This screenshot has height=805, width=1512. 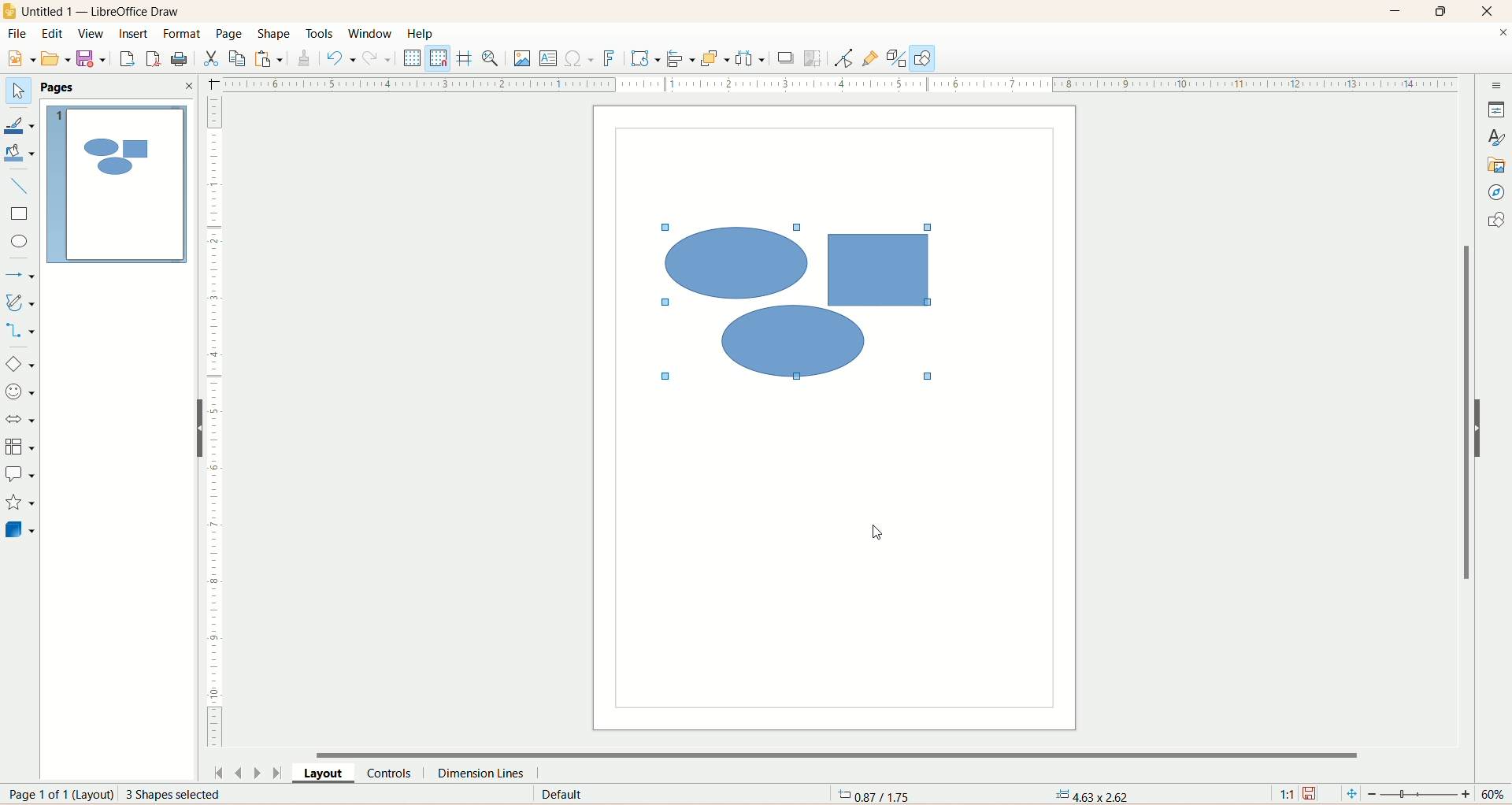 I want to click on page, so click(x=230, y=33).